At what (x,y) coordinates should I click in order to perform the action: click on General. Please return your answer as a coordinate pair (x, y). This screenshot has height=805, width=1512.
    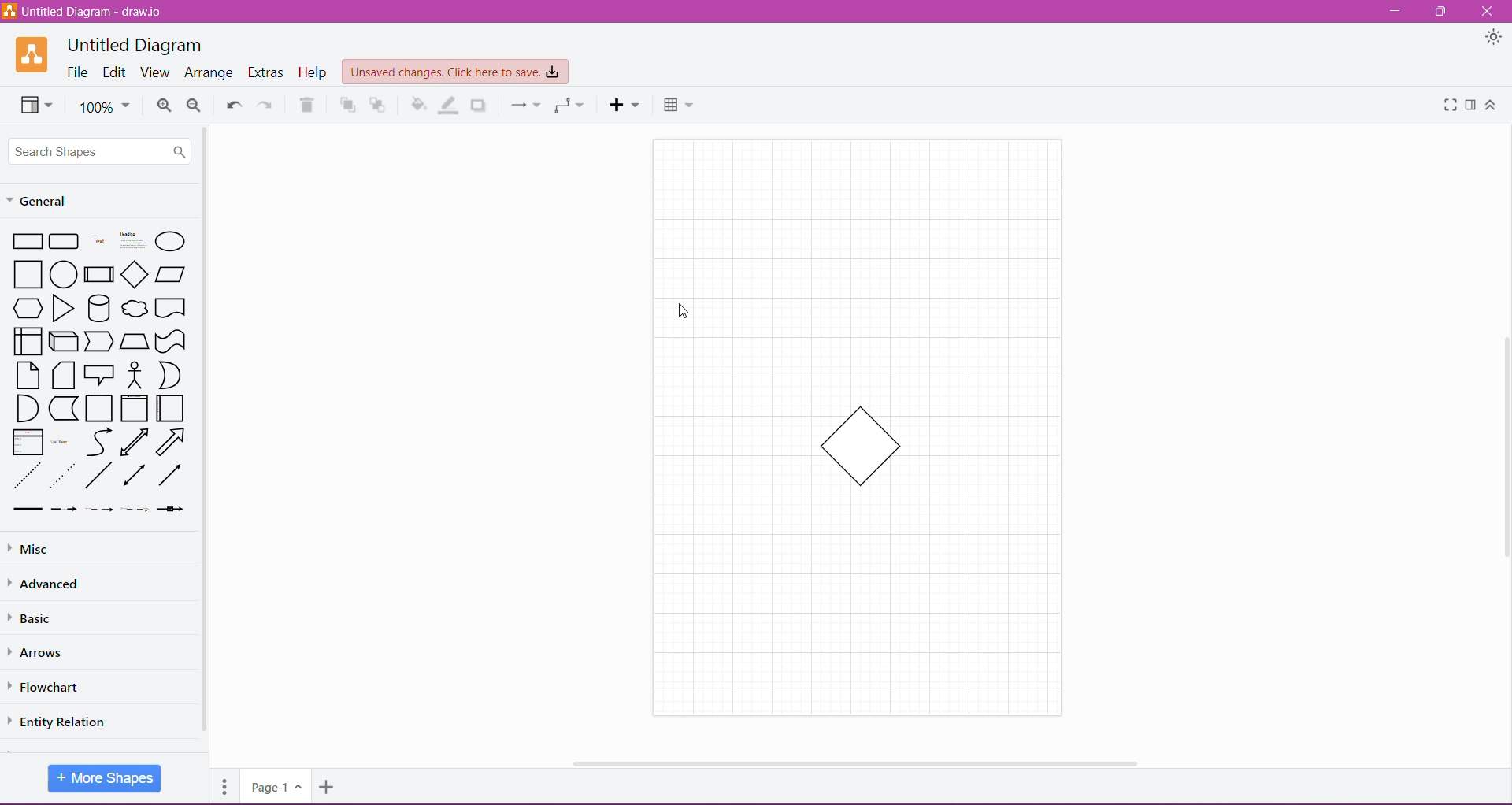
    Looking at the image, I should click on (41, 201).